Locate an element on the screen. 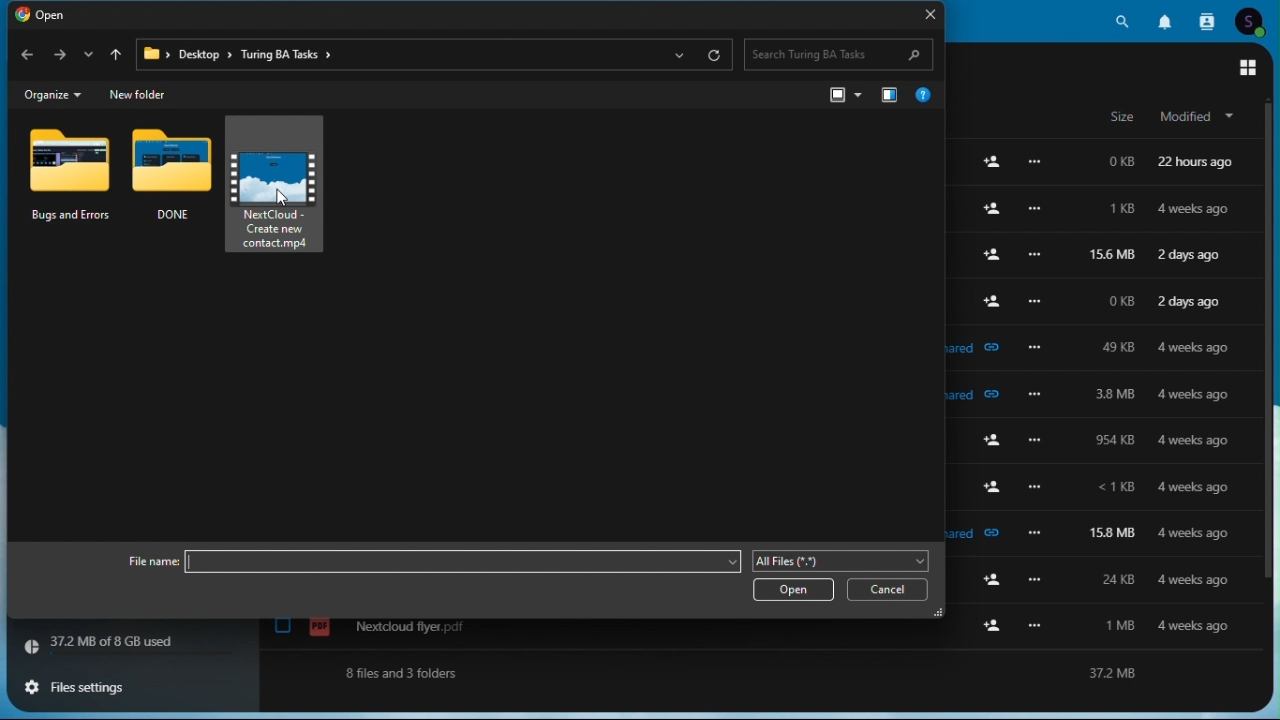  4 weeks ago is located at coordinates (1195, 626).